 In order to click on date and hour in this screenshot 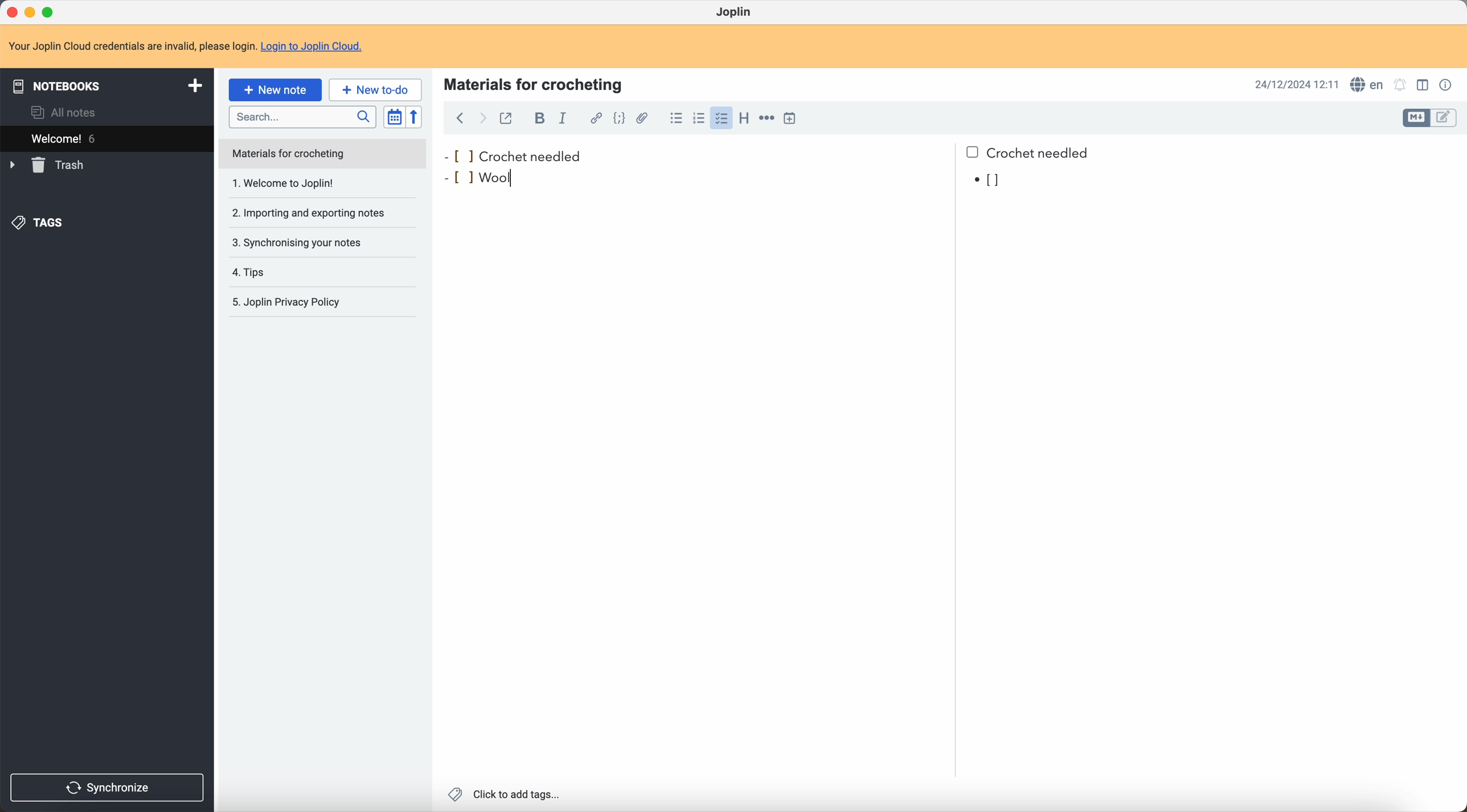, I will do `click(1297, 84)`.